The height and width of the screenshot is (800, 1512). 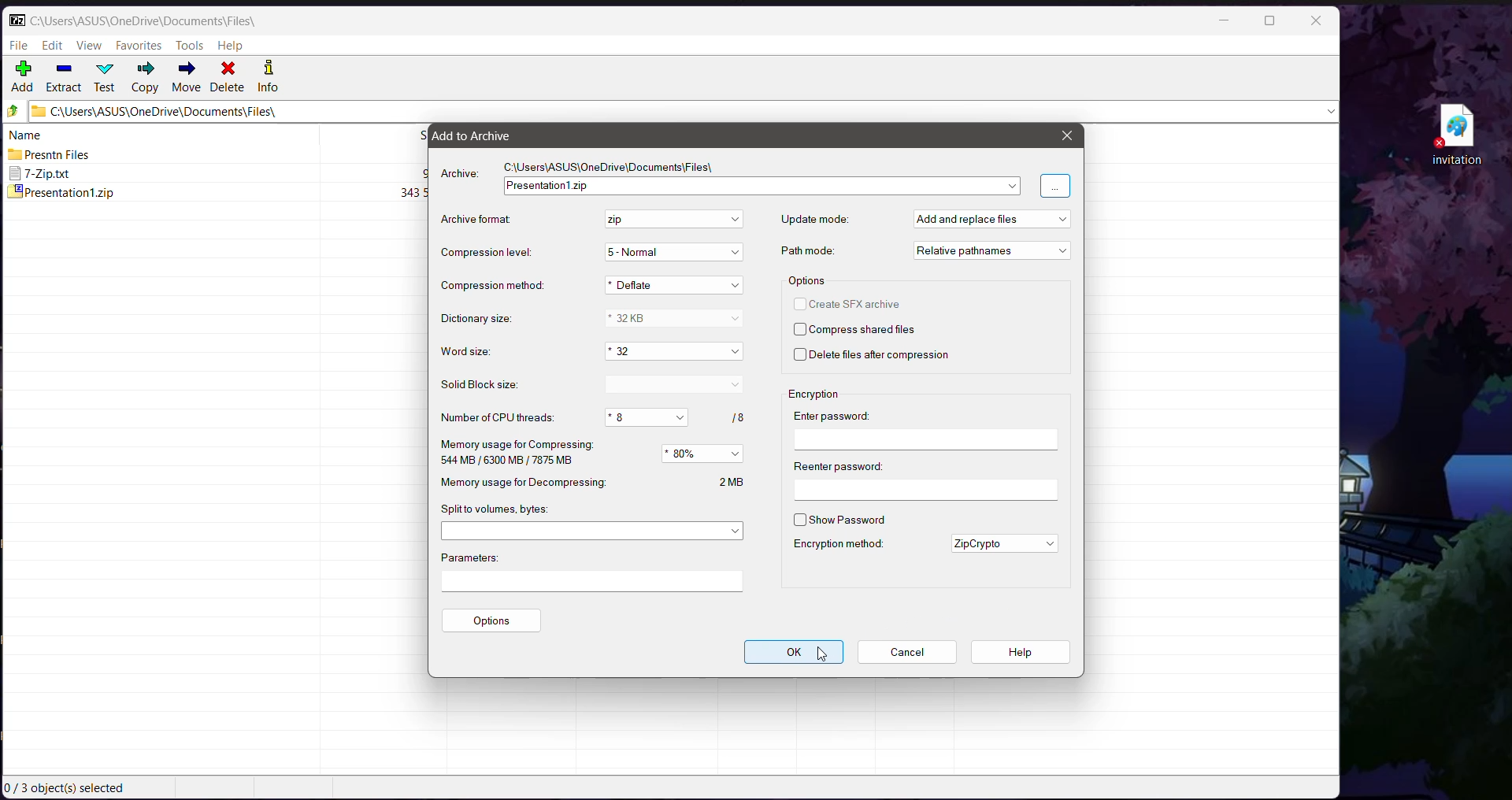 I want to click on Add to Archive, so click(x=483, y=135).